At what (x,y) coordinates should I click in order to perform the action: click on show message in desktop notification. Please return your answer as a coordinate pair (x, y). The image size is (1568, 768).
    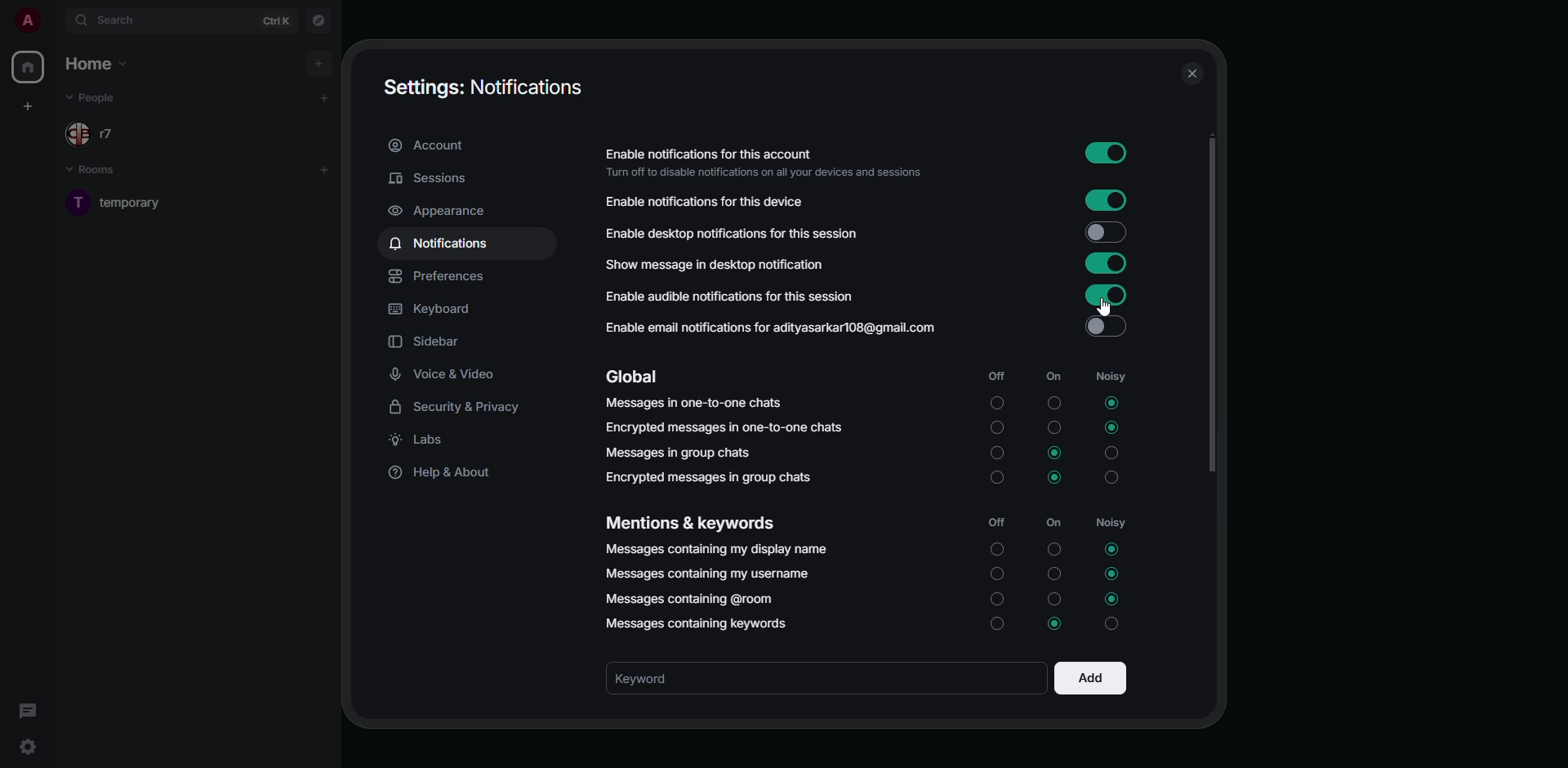
    Looking at the image, I should click on (718, 264).